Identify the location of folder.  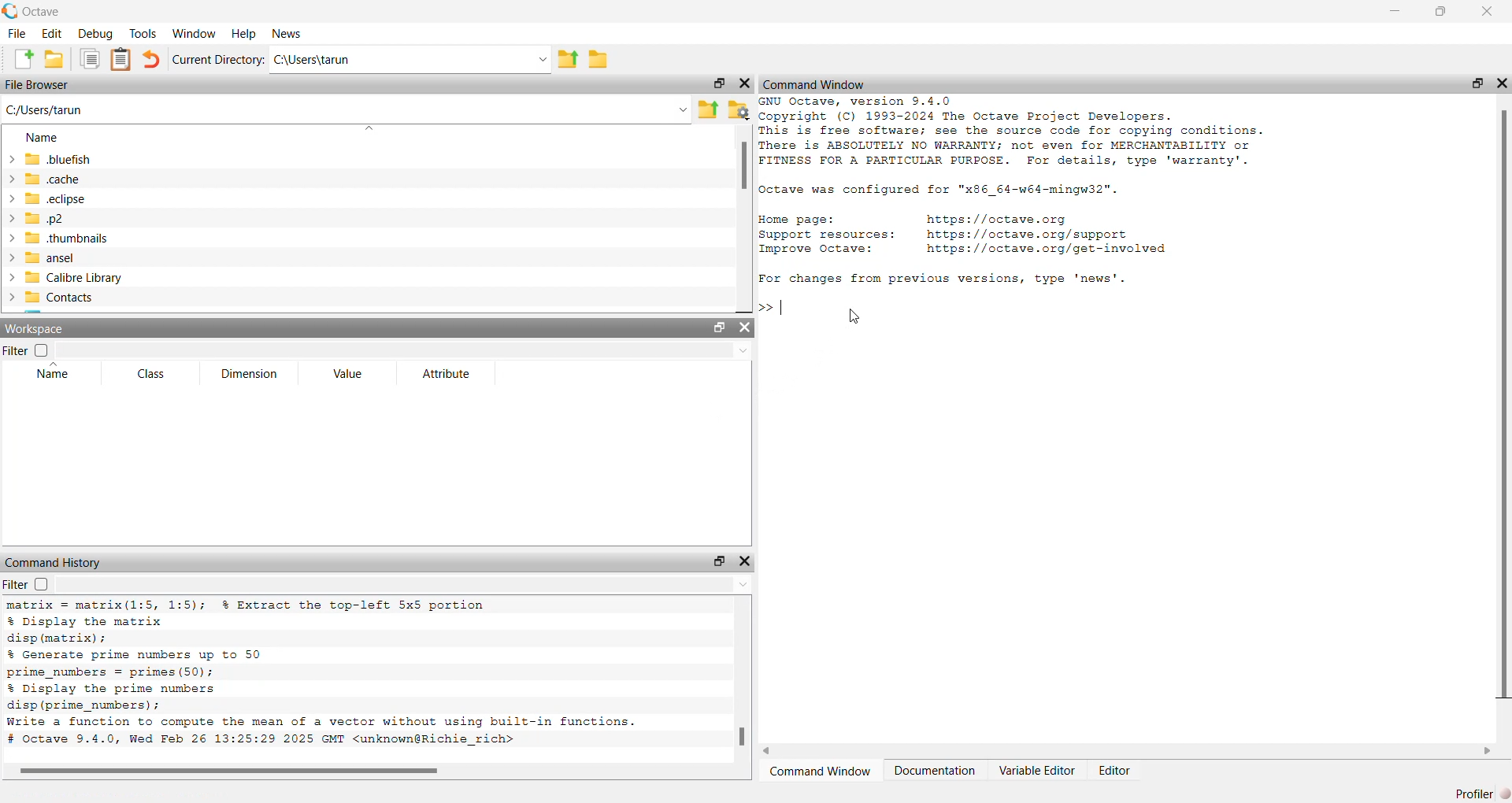
(598, 60).